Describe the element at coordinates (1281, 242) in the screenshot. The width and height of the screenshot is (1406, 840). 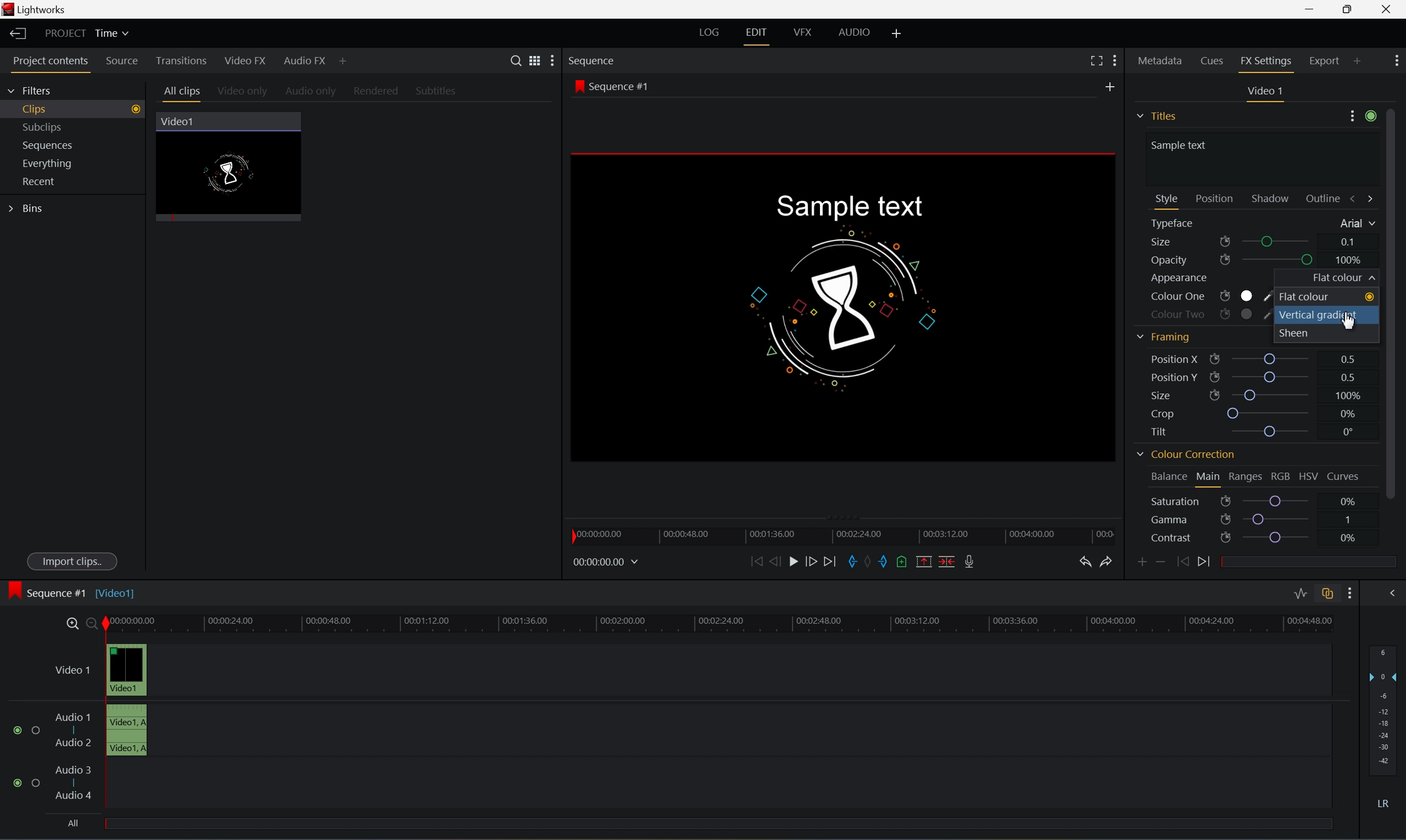
I see `slider` at that location.